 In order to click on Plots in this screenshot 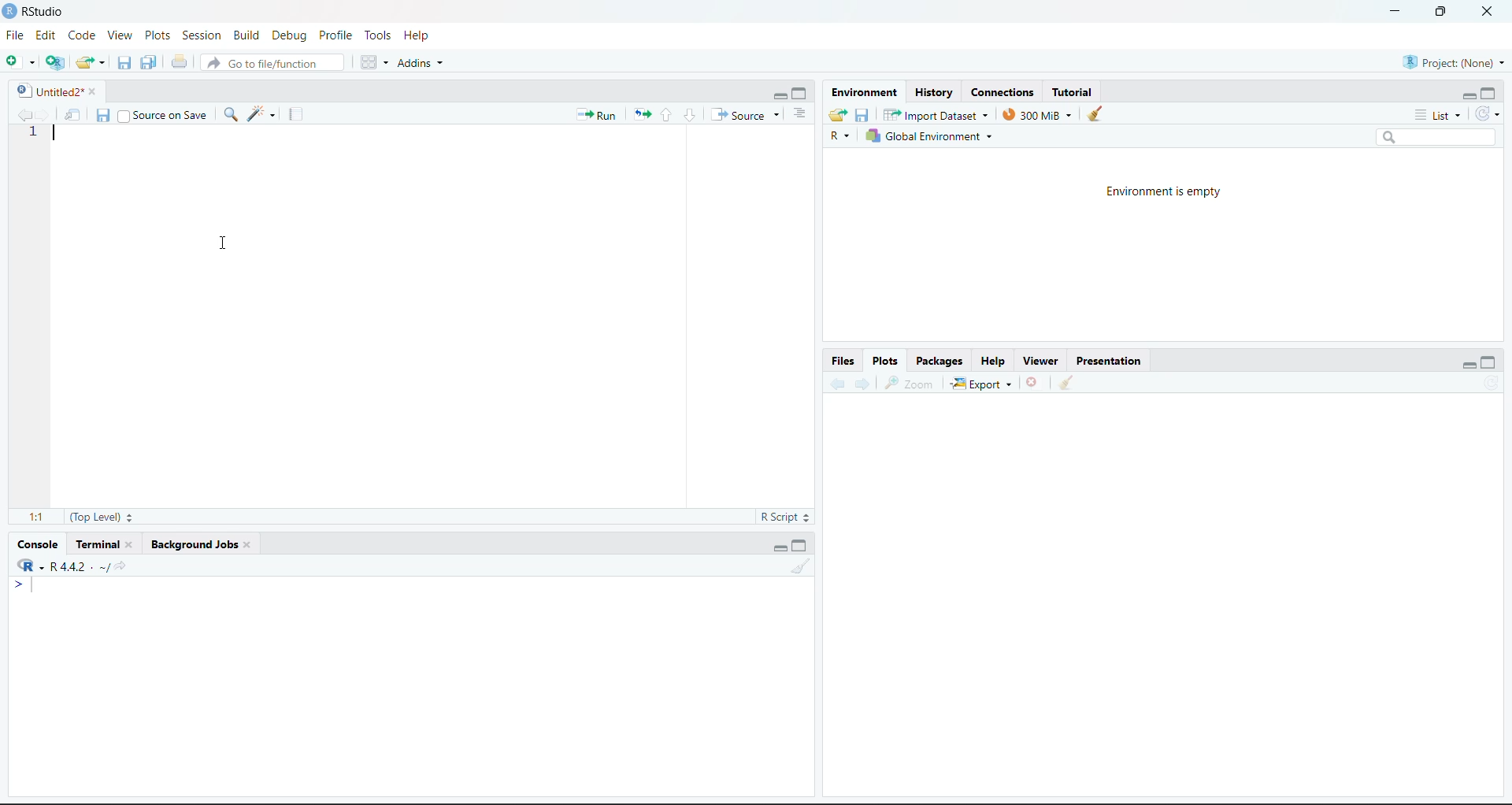, I will do `click(157, 35)`.